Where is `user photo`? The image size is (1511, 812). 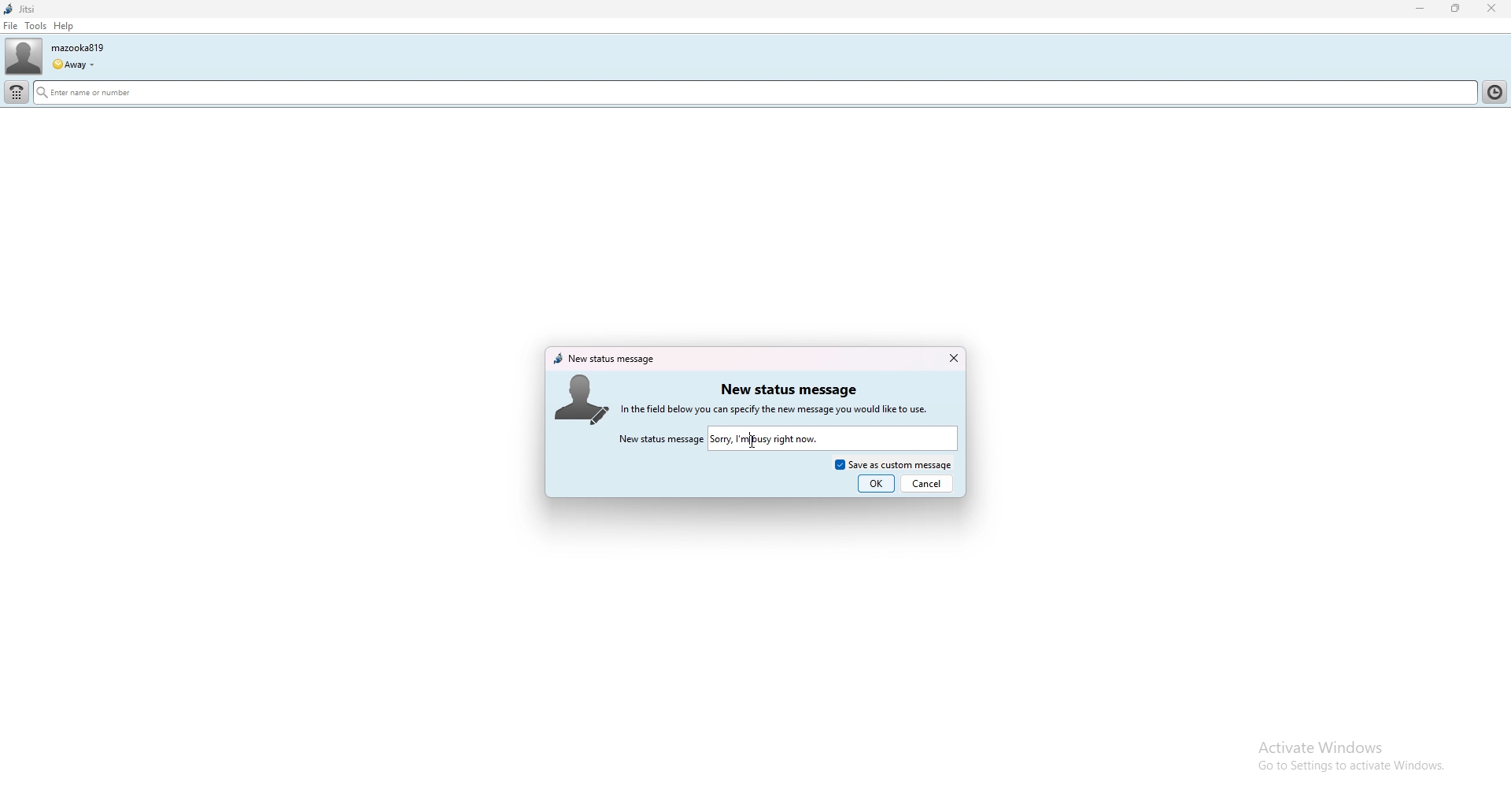
user photo is located at coordinates (24, 57).